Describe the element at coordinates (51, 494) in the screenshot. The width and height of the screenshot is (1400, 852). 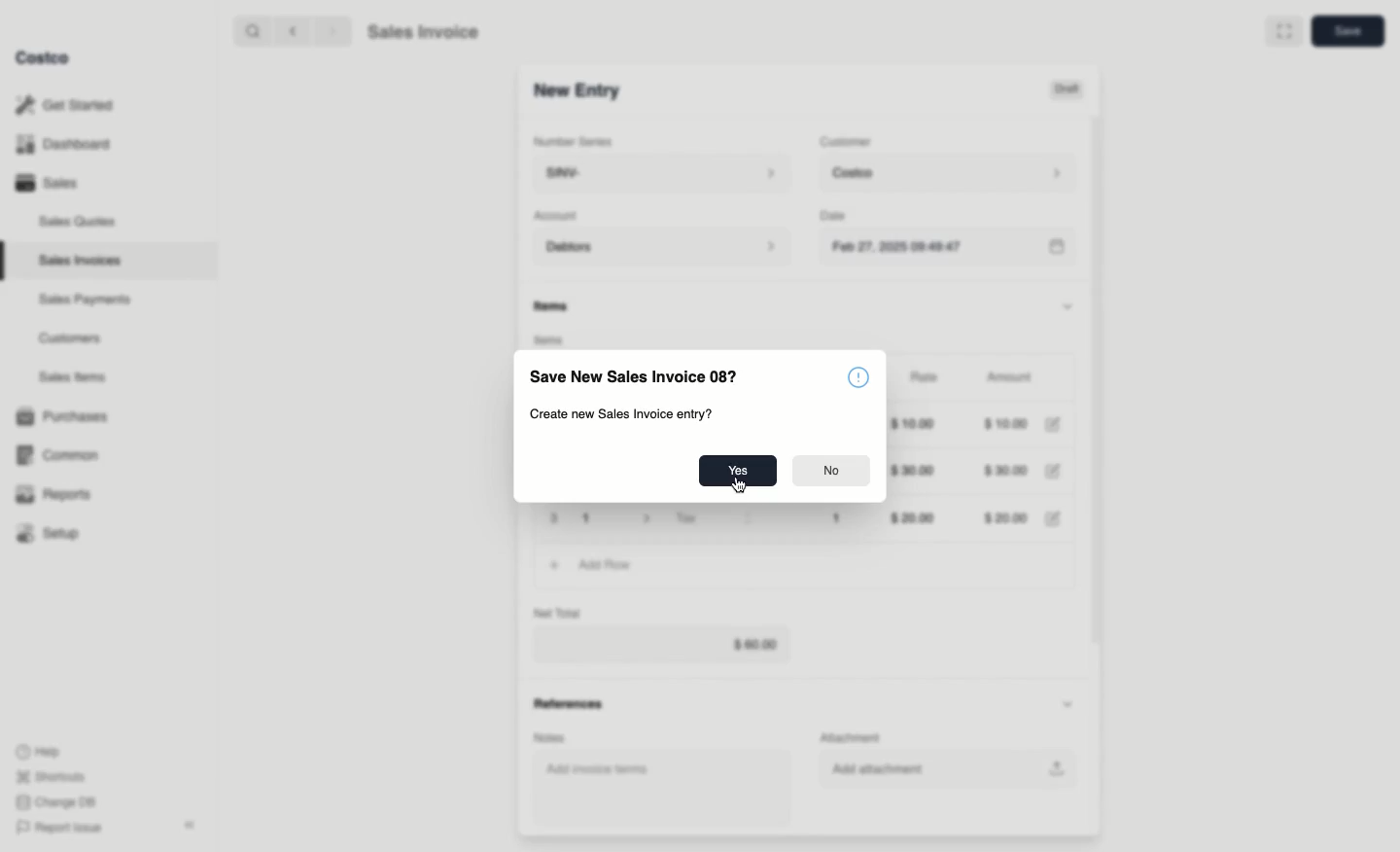
I see `Reports` at that location.